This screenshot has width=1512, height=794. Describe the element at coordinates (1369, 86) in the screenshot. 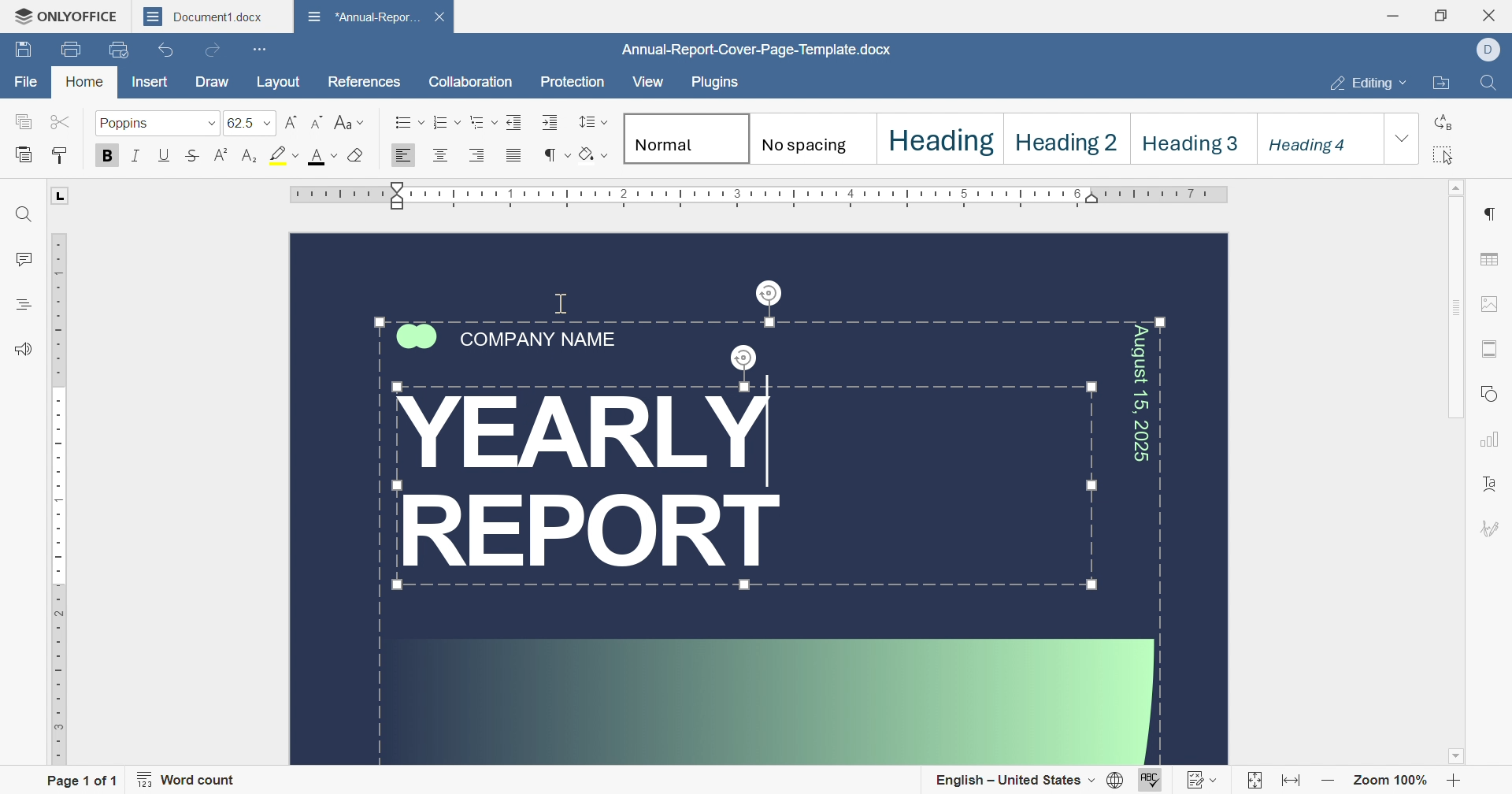

I see `editing` at that location.